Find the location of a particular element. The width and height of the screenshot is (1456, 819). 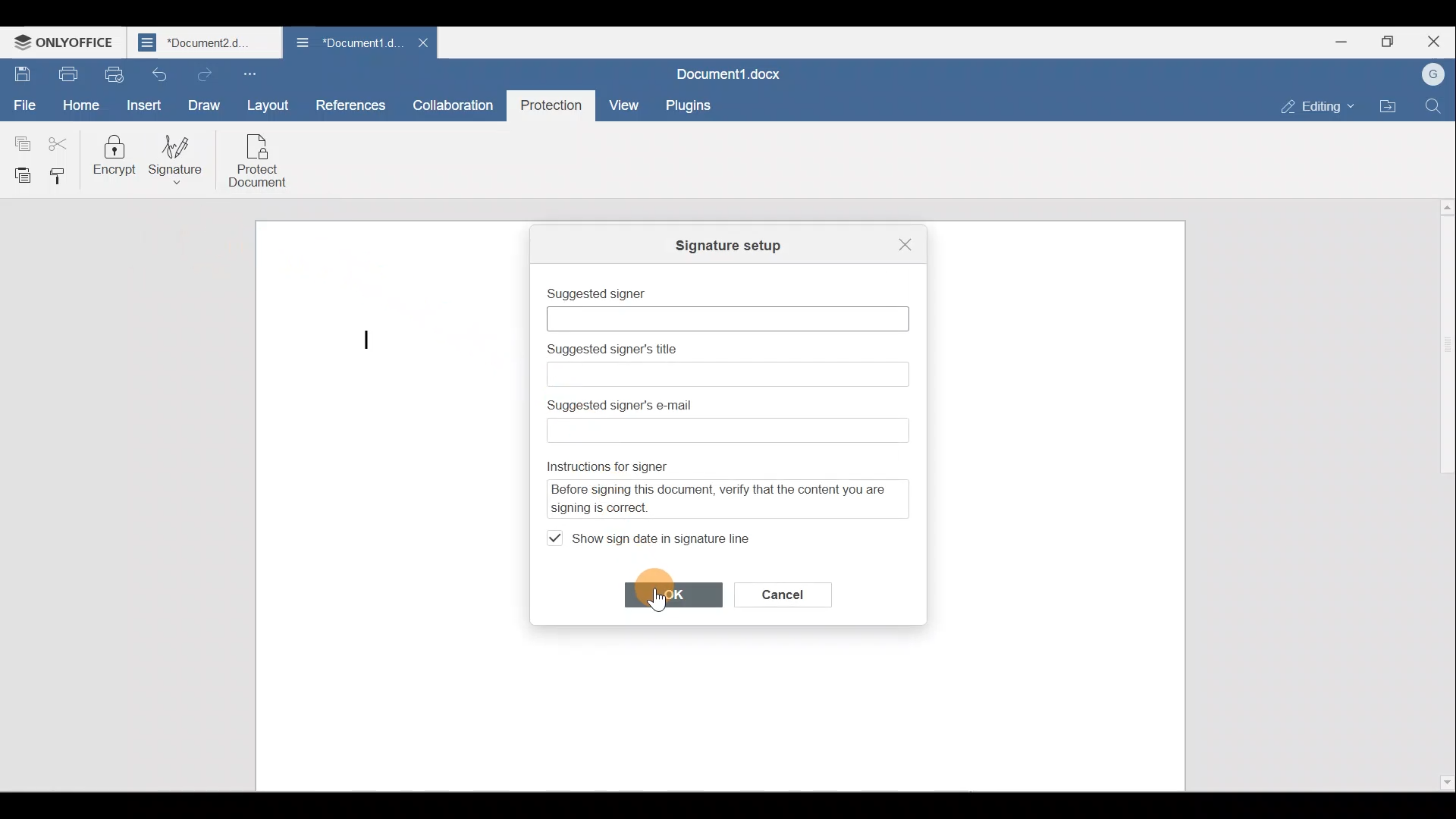

Protection is located at coordinates (551, 106).